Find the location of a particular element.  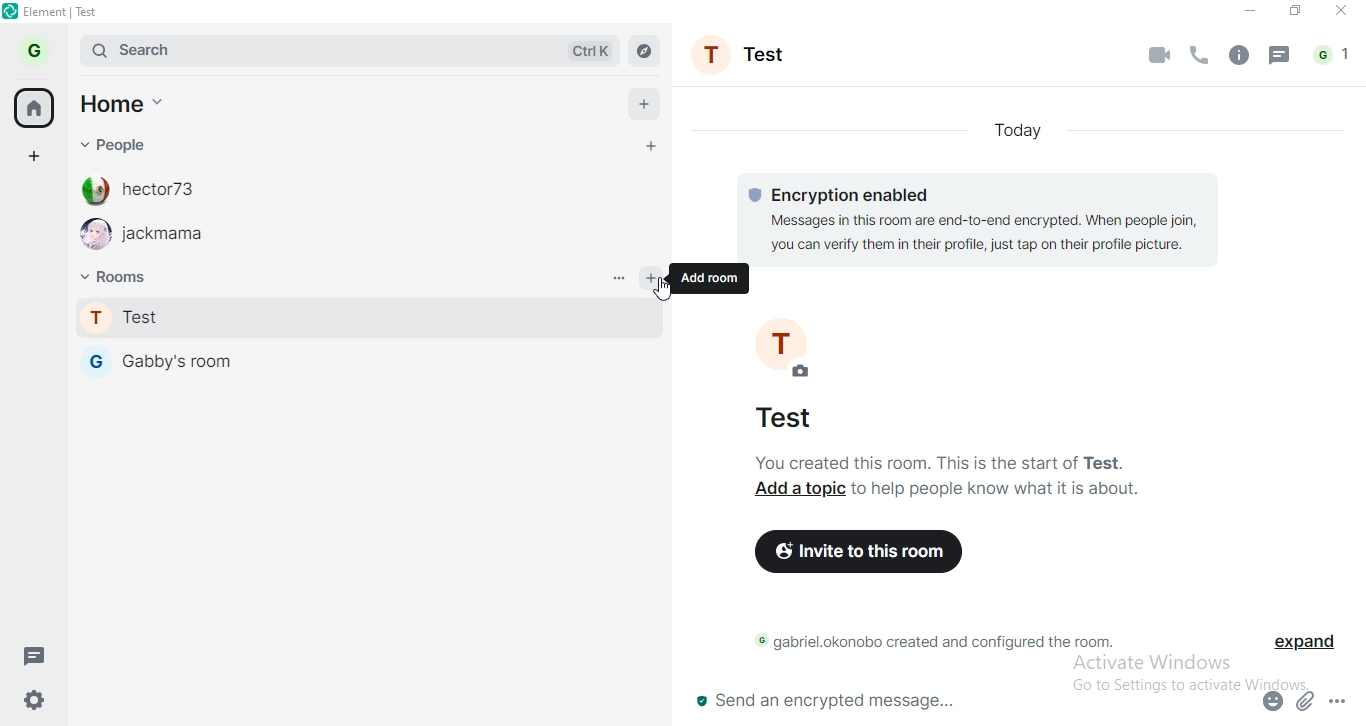

restore is located at coordinates (1297, 11).